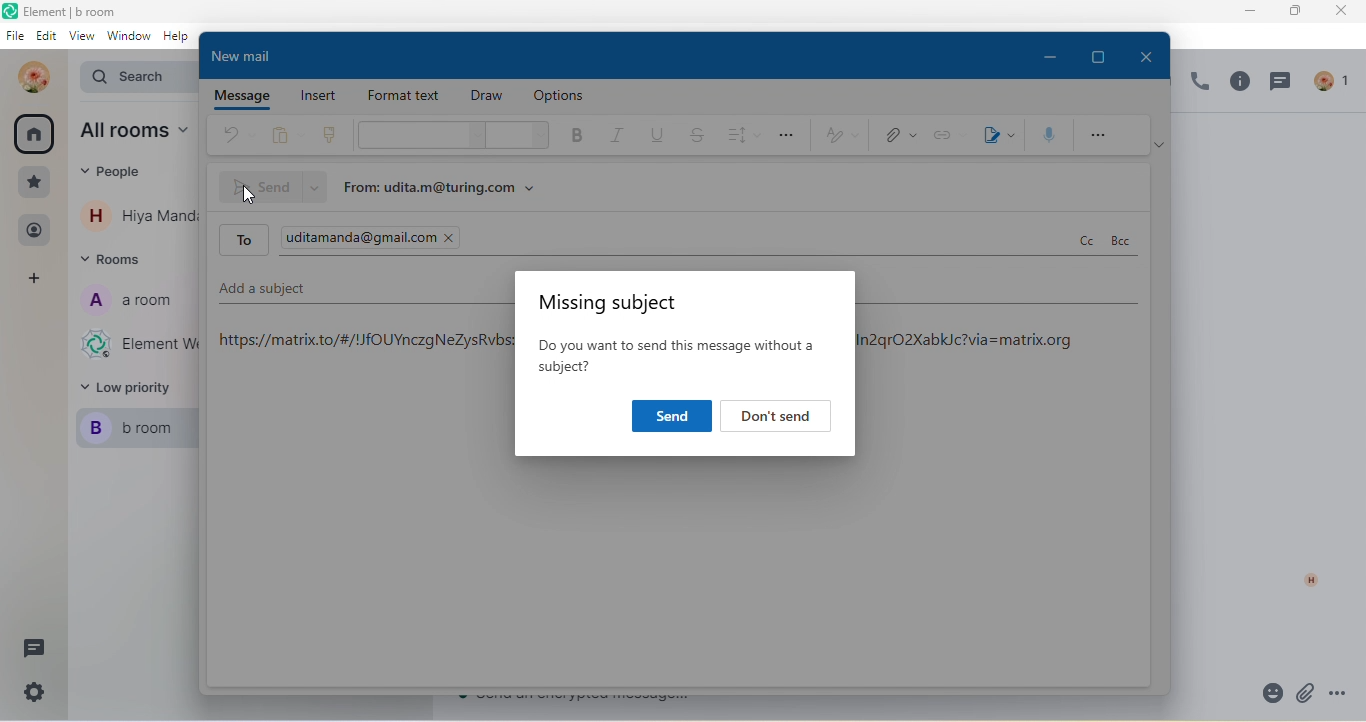 The height and width of the screenshot is (722, 1366). Describe the element at coordinates (1197, 85) in the screenshot. I see `voice call` at that location.